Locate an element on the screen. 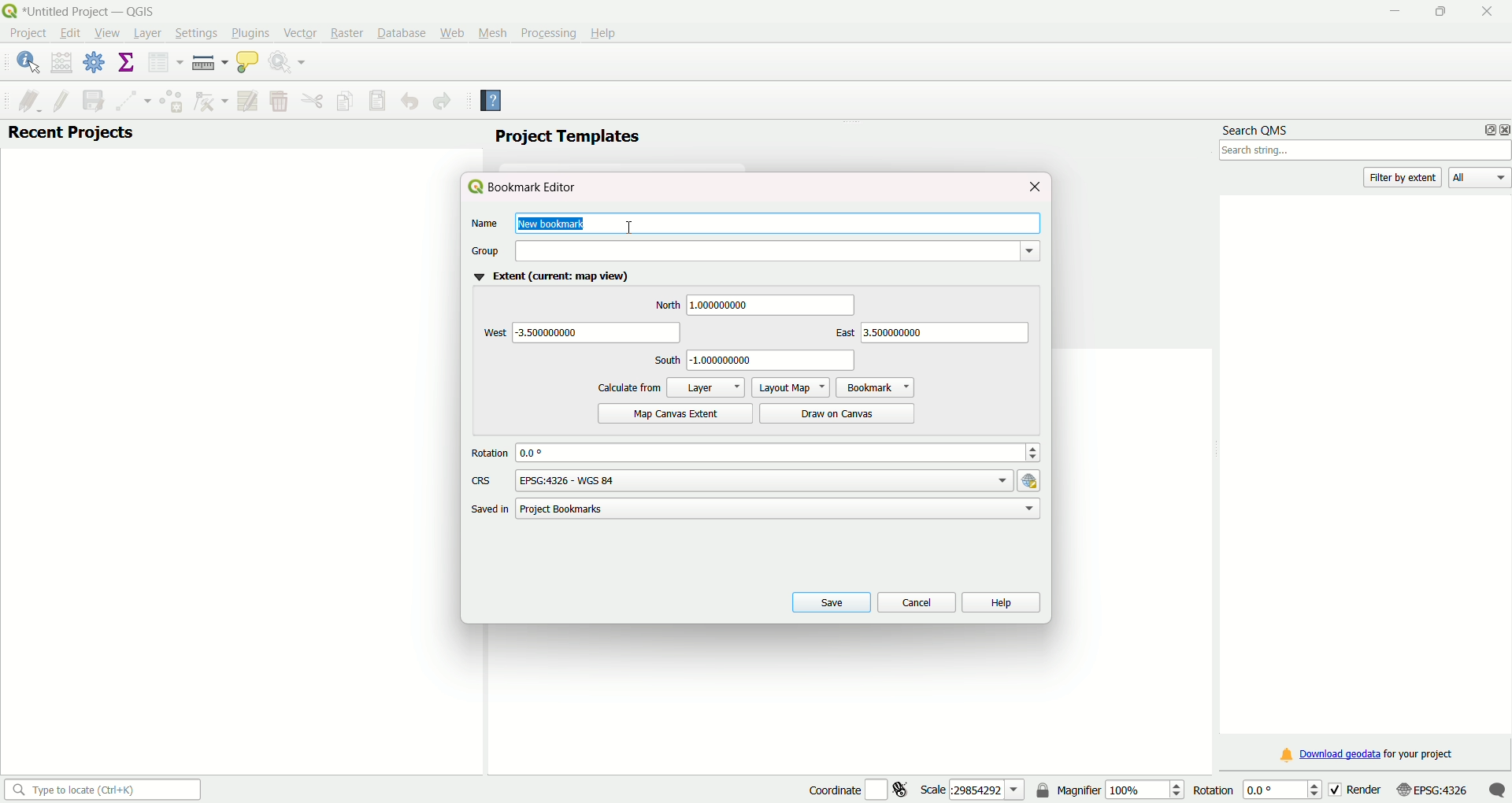  rotation is located at coordinates (1252, 789).